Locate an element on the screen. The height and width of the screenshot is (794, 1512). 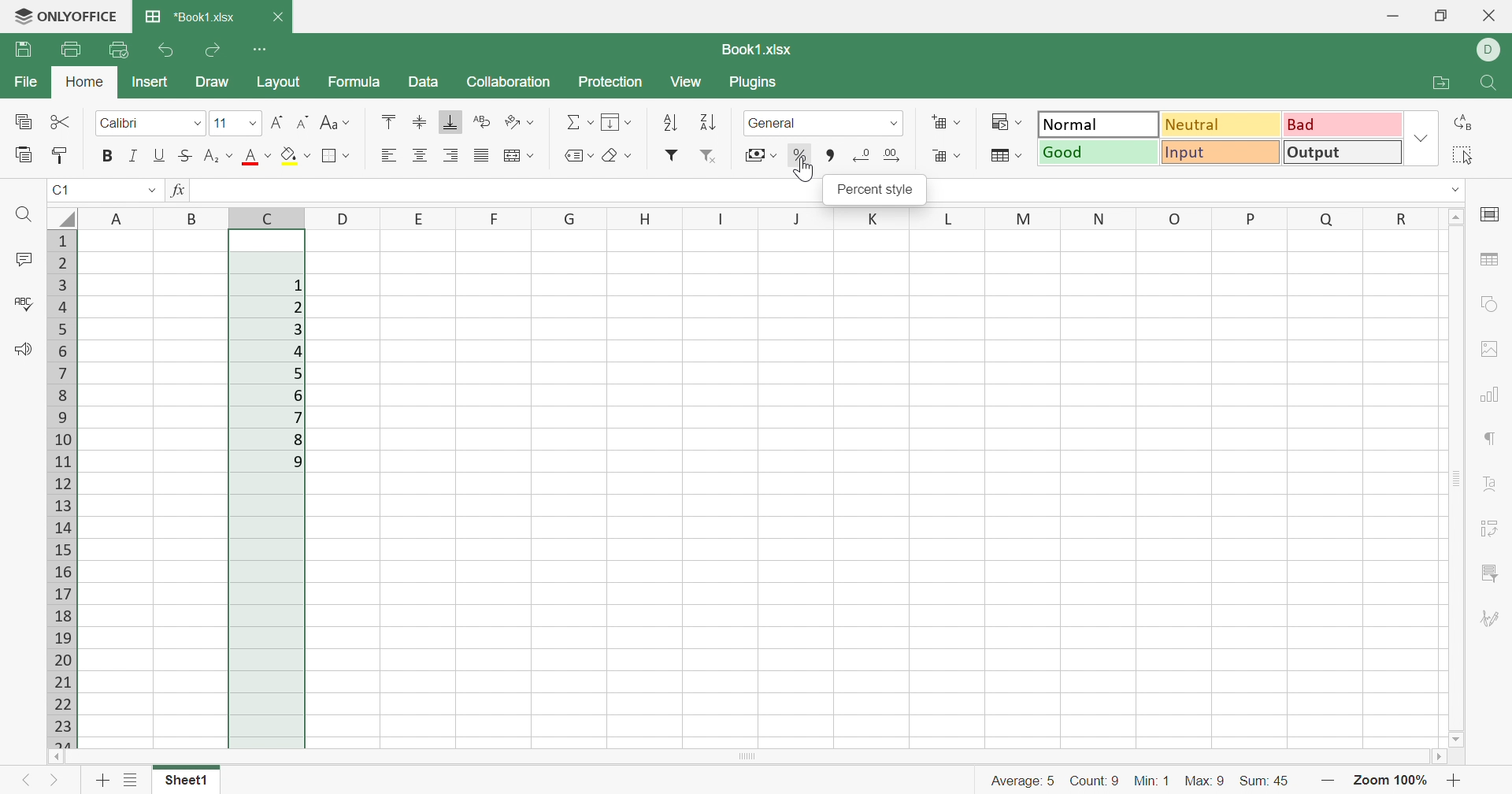
Borders is located at coordinates (338, 157).